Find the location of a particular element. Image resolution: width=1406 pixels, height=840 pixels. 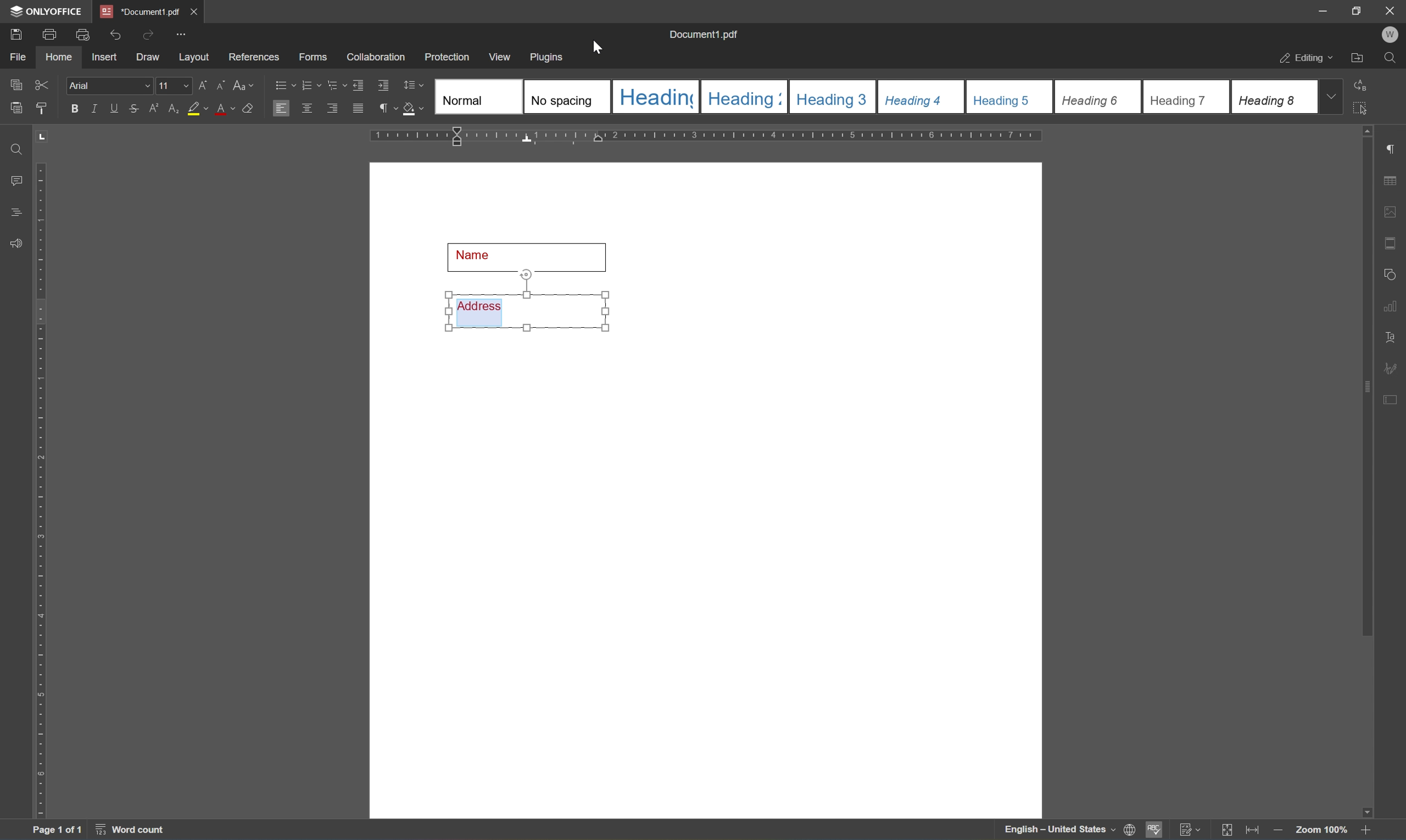

references is located at coordinates (253, 57).